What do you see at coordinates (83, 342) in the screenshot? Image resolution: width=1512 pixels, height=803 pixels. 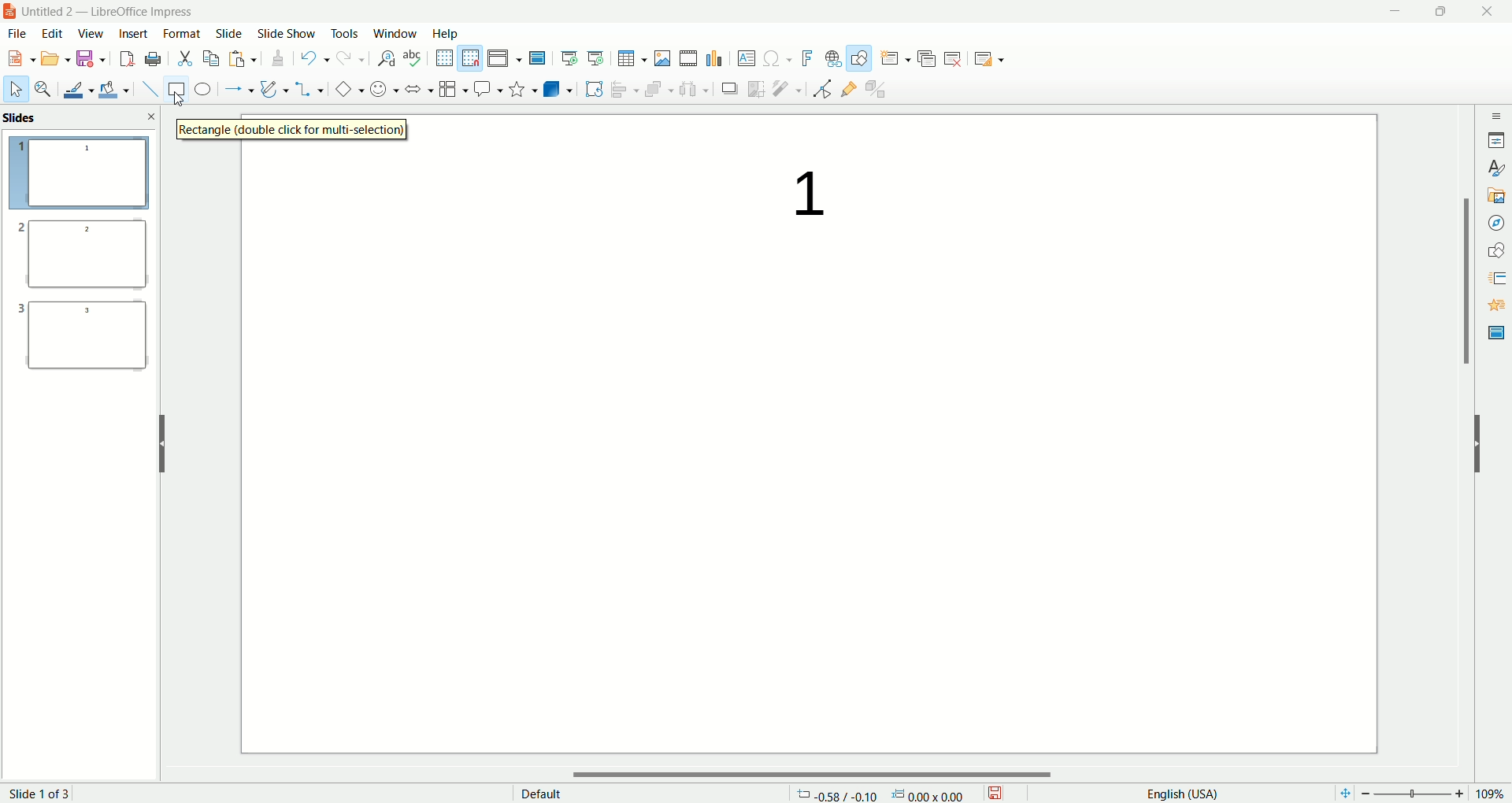 I see `slide 3` at bounding box center [83, 342].